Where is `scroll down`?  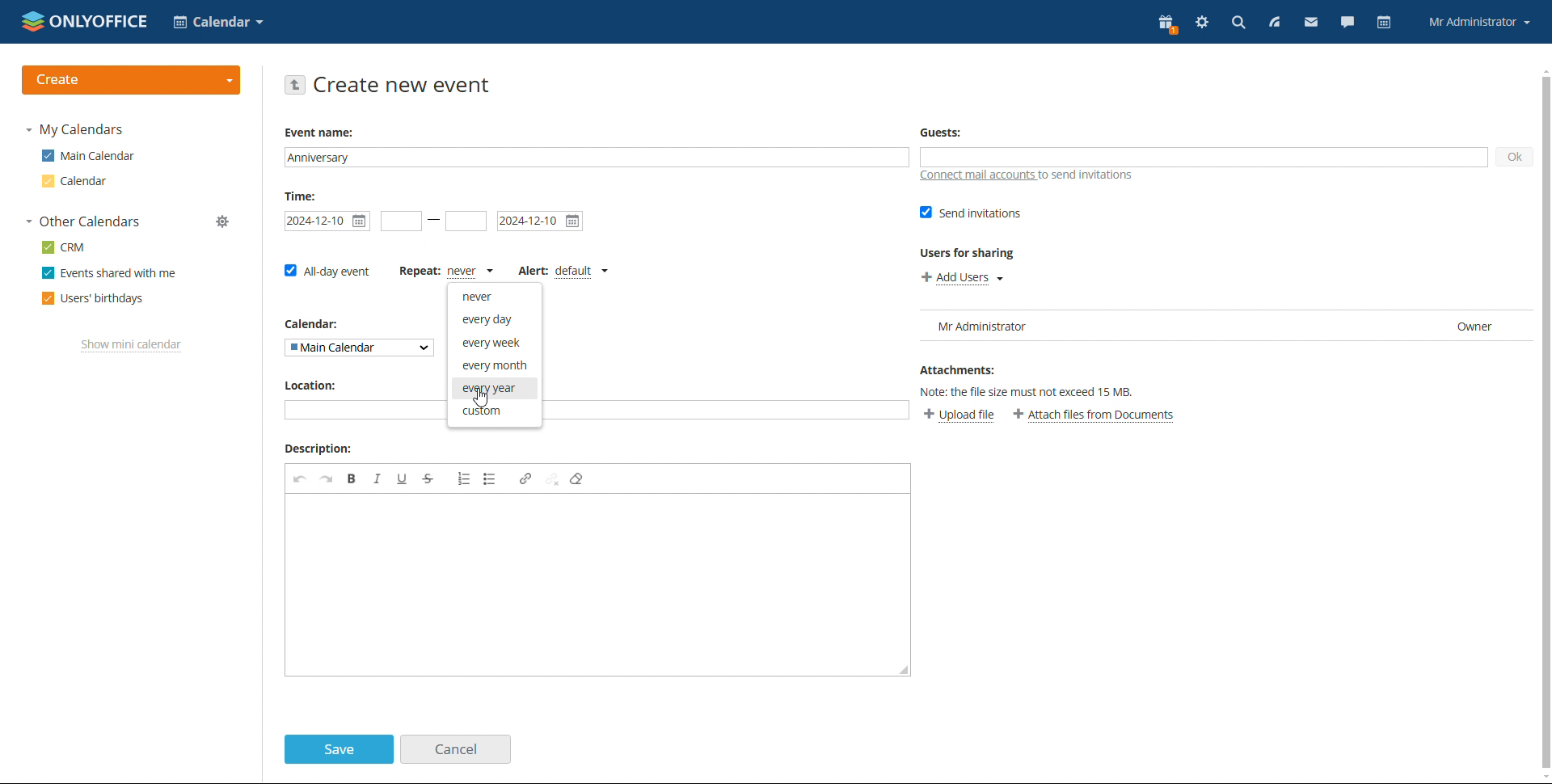
scroll down is located at coordinates (1542, 778).